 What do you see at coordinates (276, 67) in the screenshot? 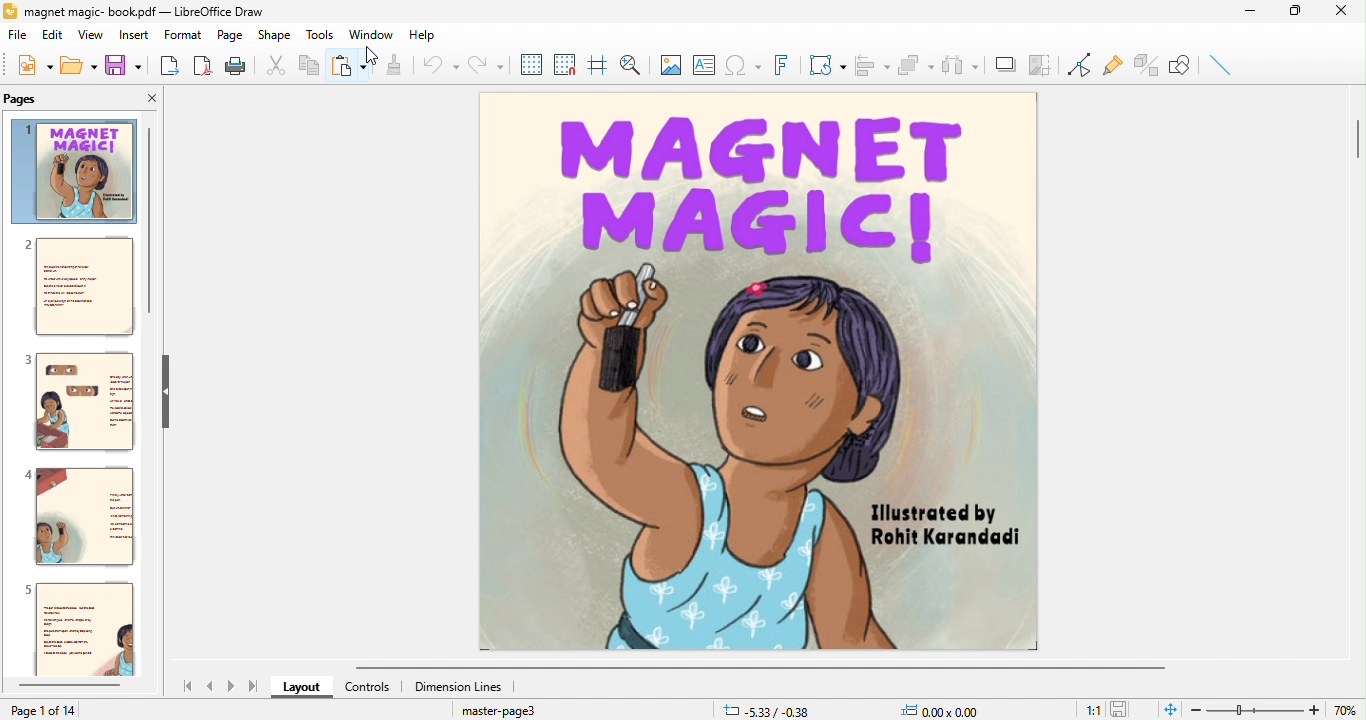
I see `cut` at bounding box center [276, 67].